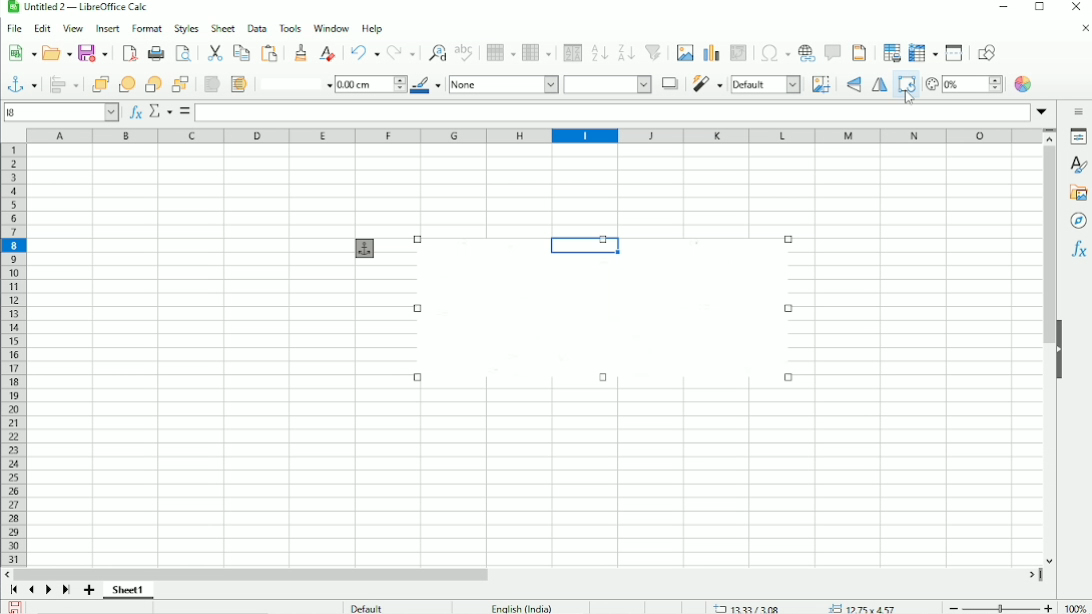  What do you see at coordinates (1061, 348) in the screenshot?
I see `Hide` at bounding box center [1061, 348].